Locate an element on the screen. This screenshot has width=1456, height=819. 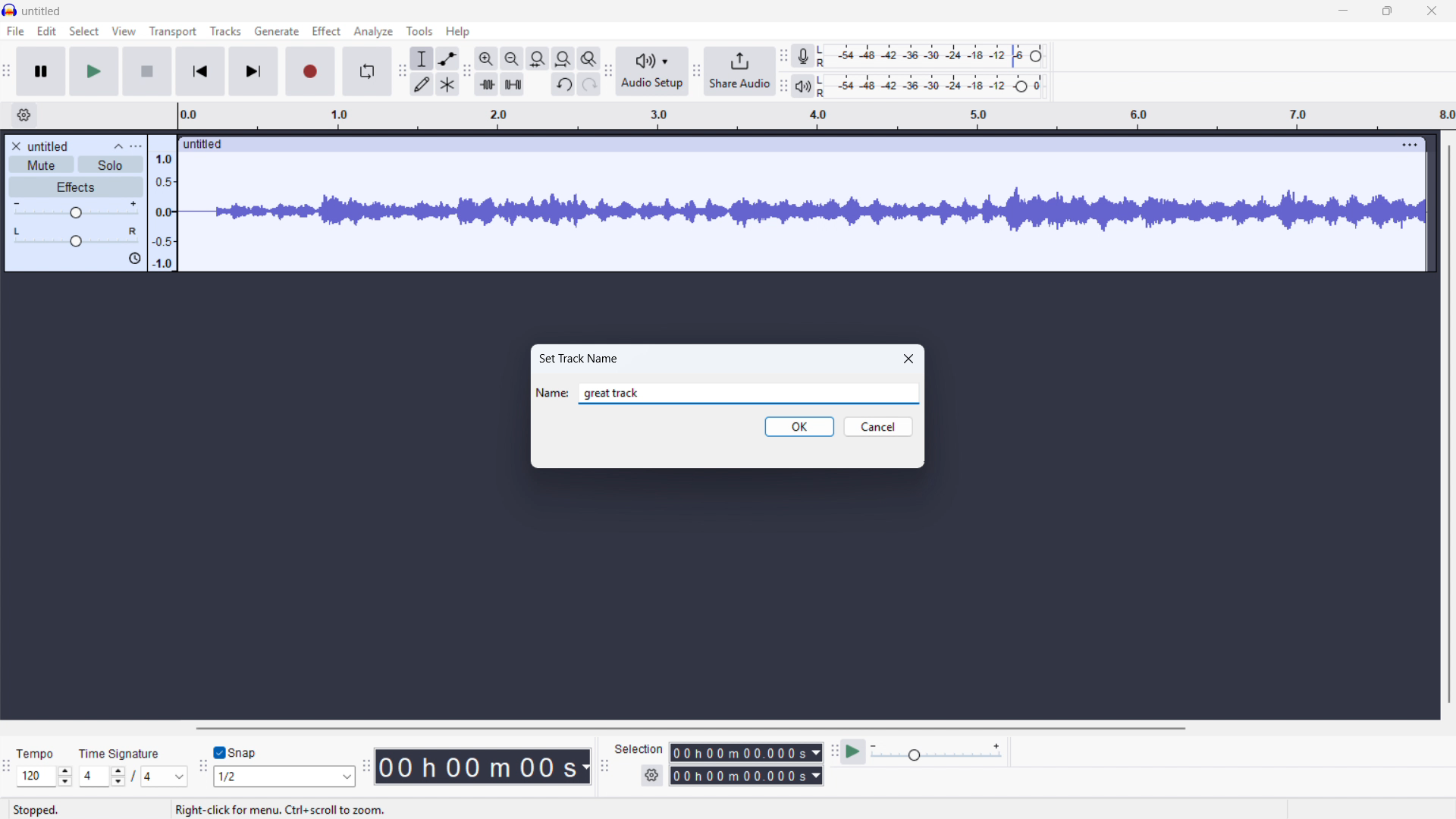
Pause  is located at coordinates (42, 72).